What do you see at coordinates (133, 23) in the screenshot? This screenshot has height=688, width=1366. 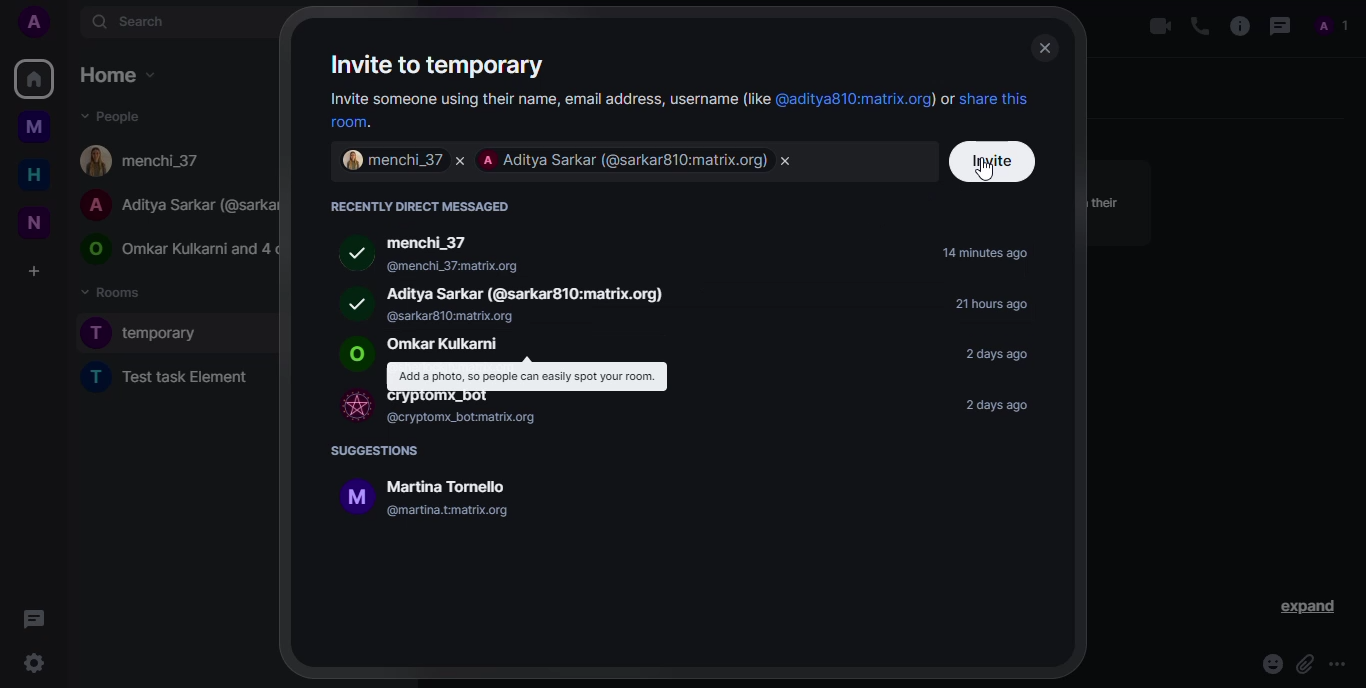 I see `search` at bounding box center [133, 23].